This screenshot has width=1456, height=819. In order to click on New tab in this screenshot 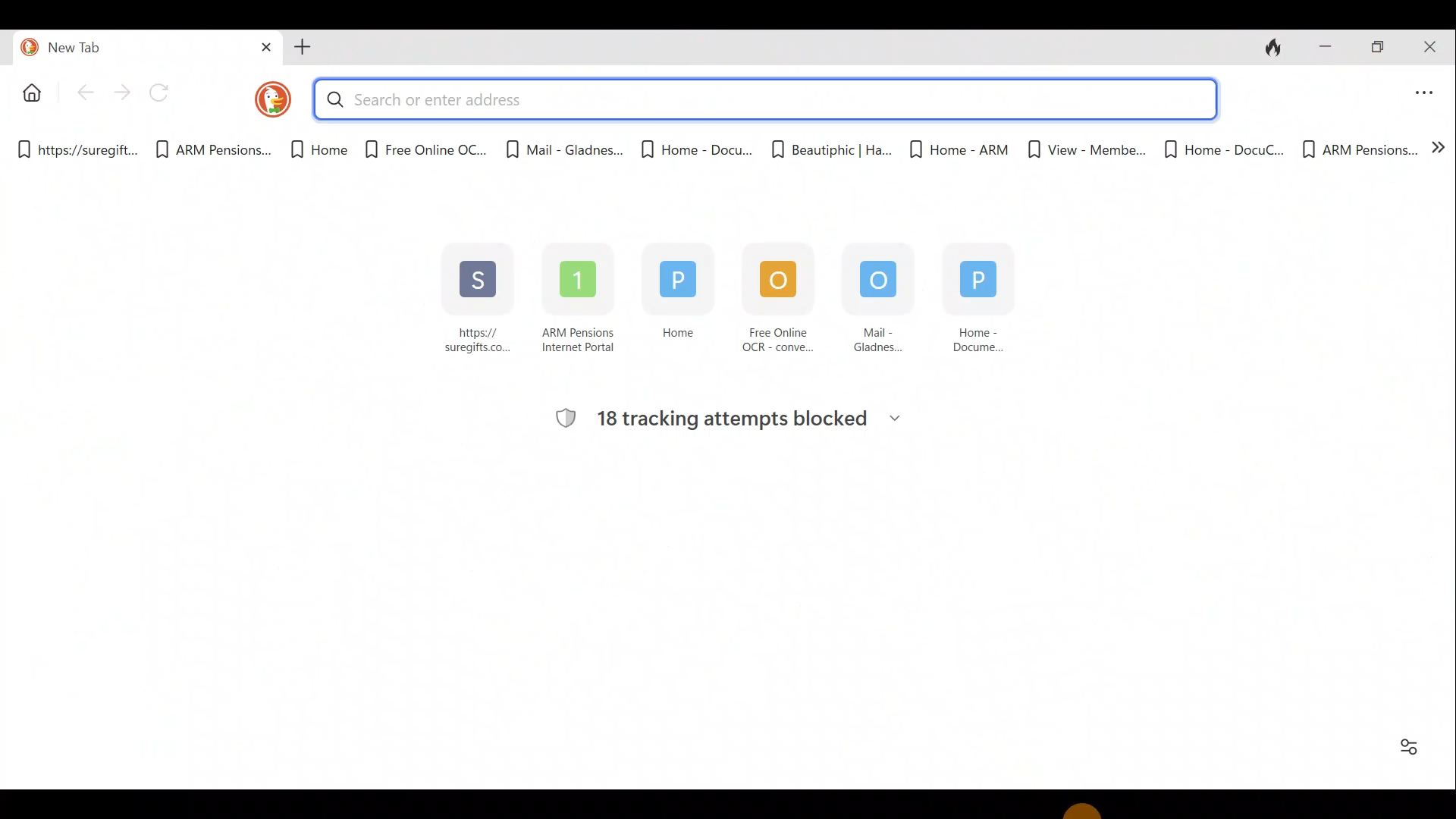, I will do `click(104, 48)`.